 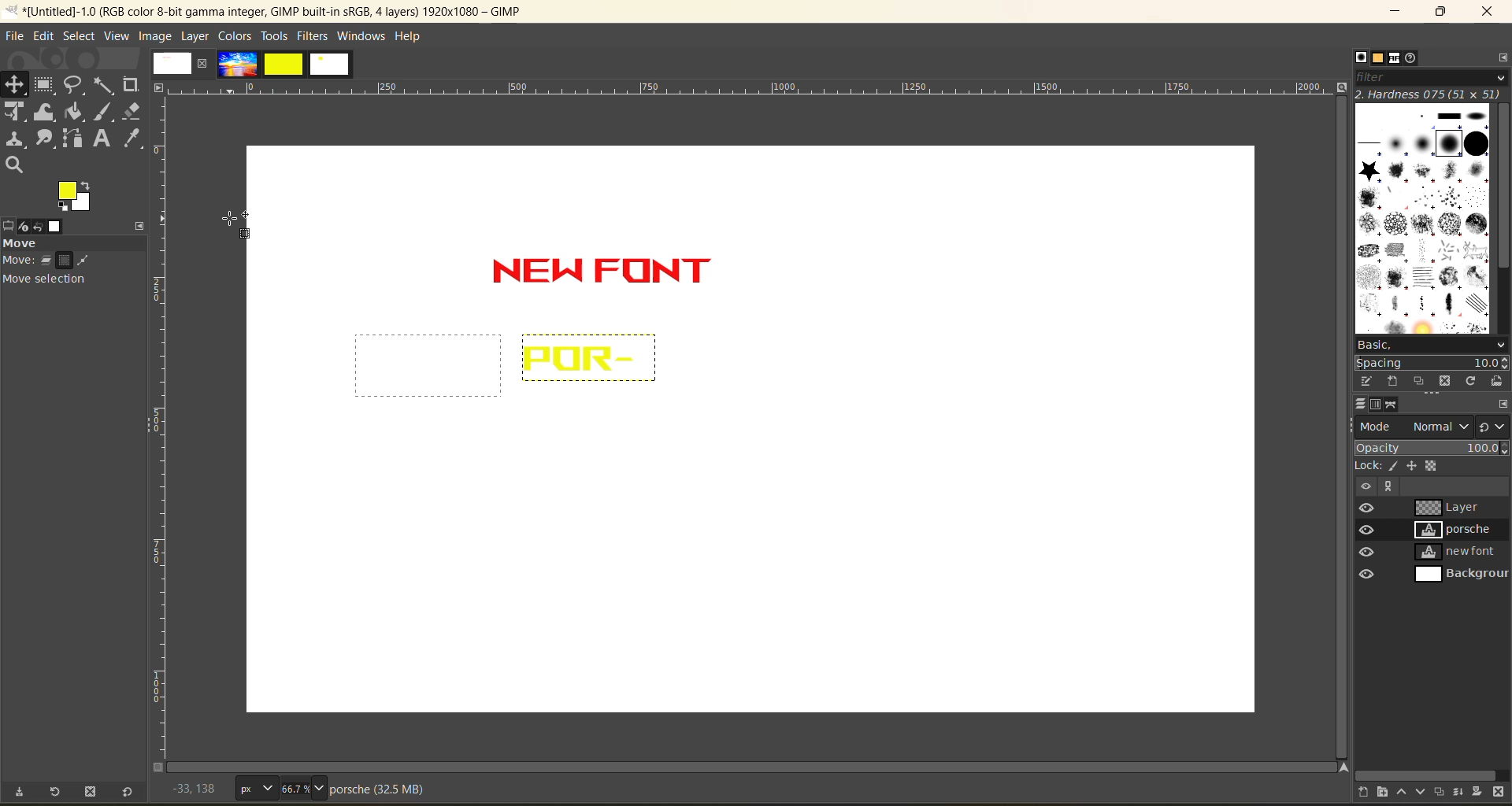 I want to click on smudge tool, so click(x=46, y=139).